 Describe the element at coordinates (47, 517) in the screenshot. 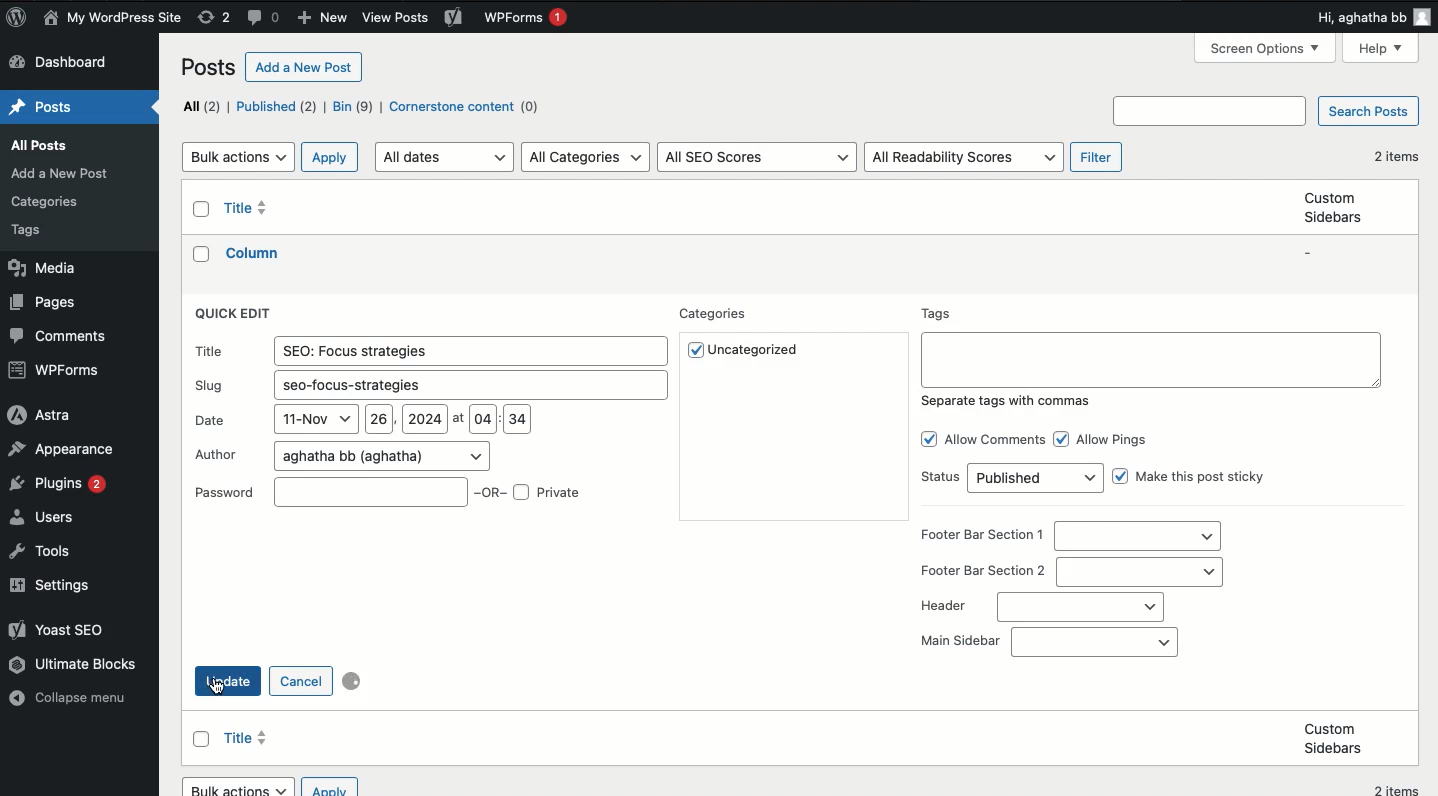

I see `Users` at that location.